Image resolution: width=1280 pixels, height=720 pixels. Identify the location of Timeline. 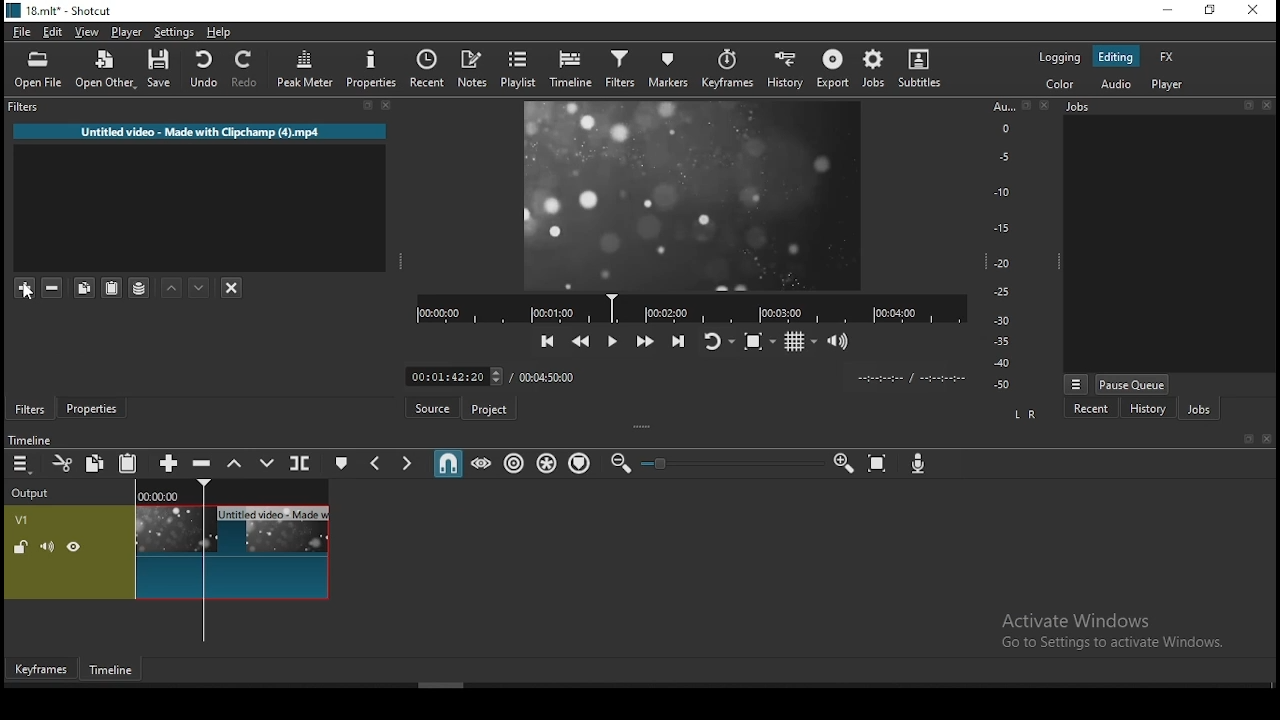
(233, 490).